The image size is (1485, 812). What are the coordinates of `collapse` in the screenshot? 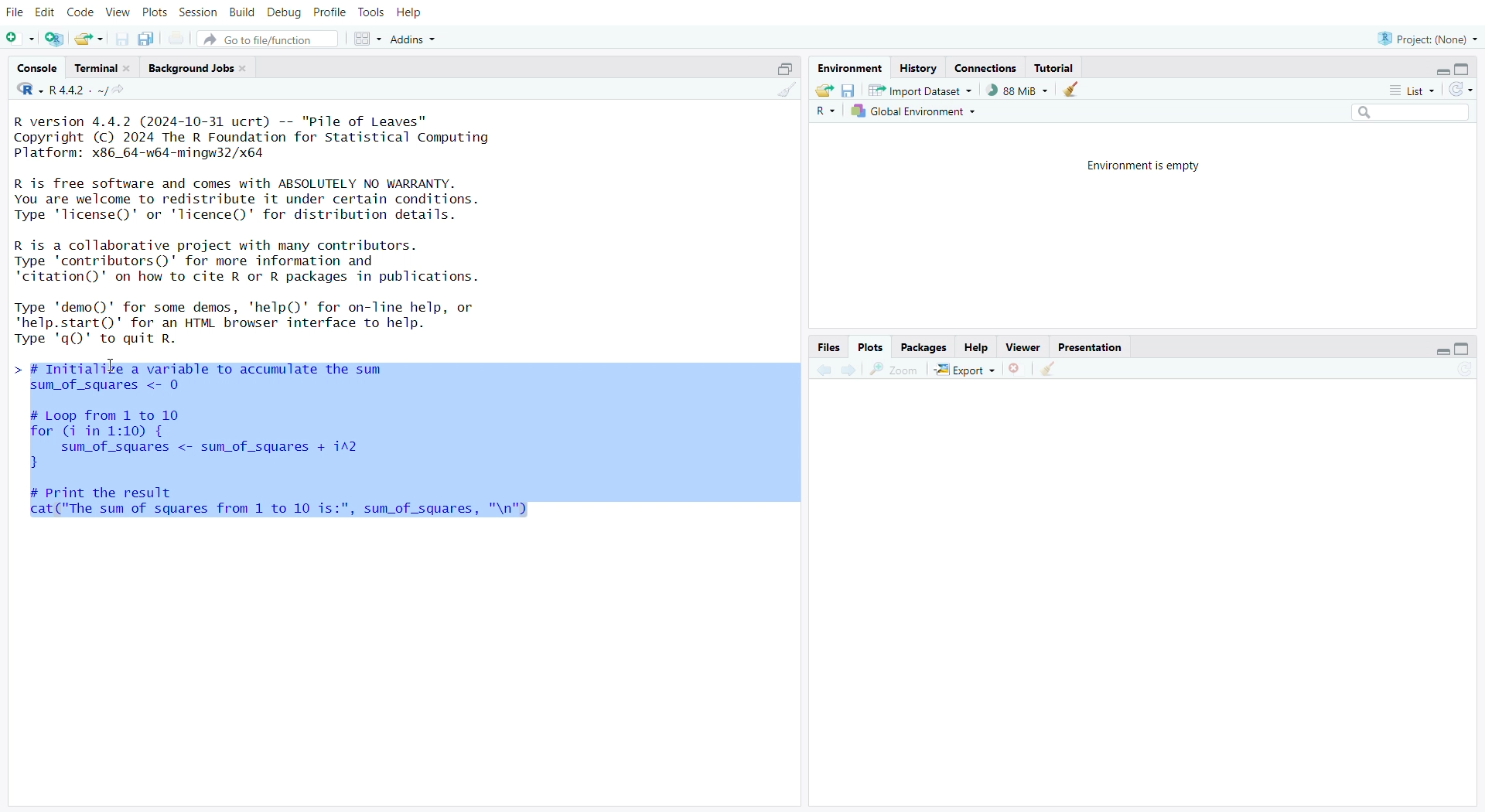 It's located at (1467, 348).